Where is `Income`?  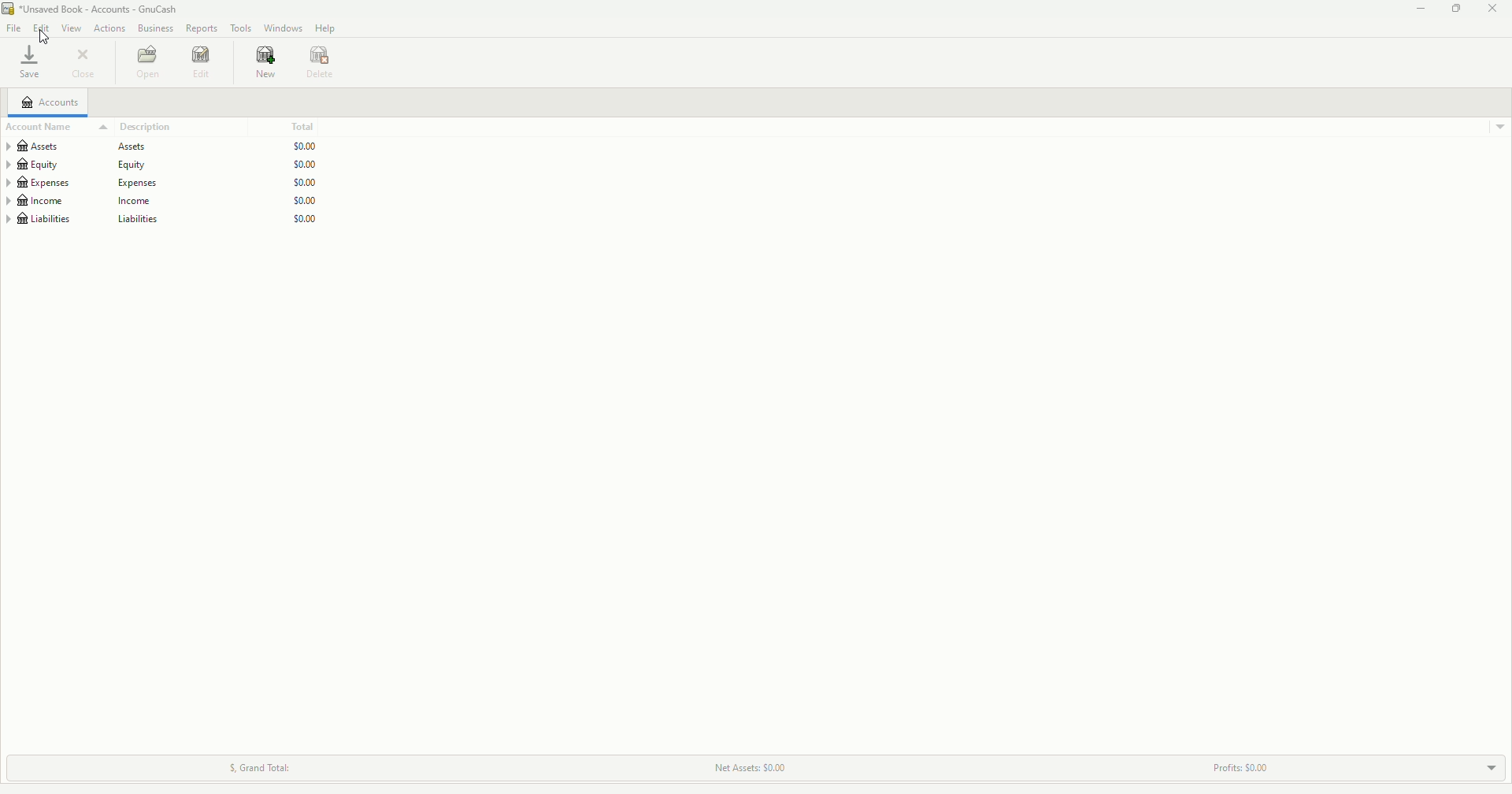 Income is located at coordinates (162, 202).